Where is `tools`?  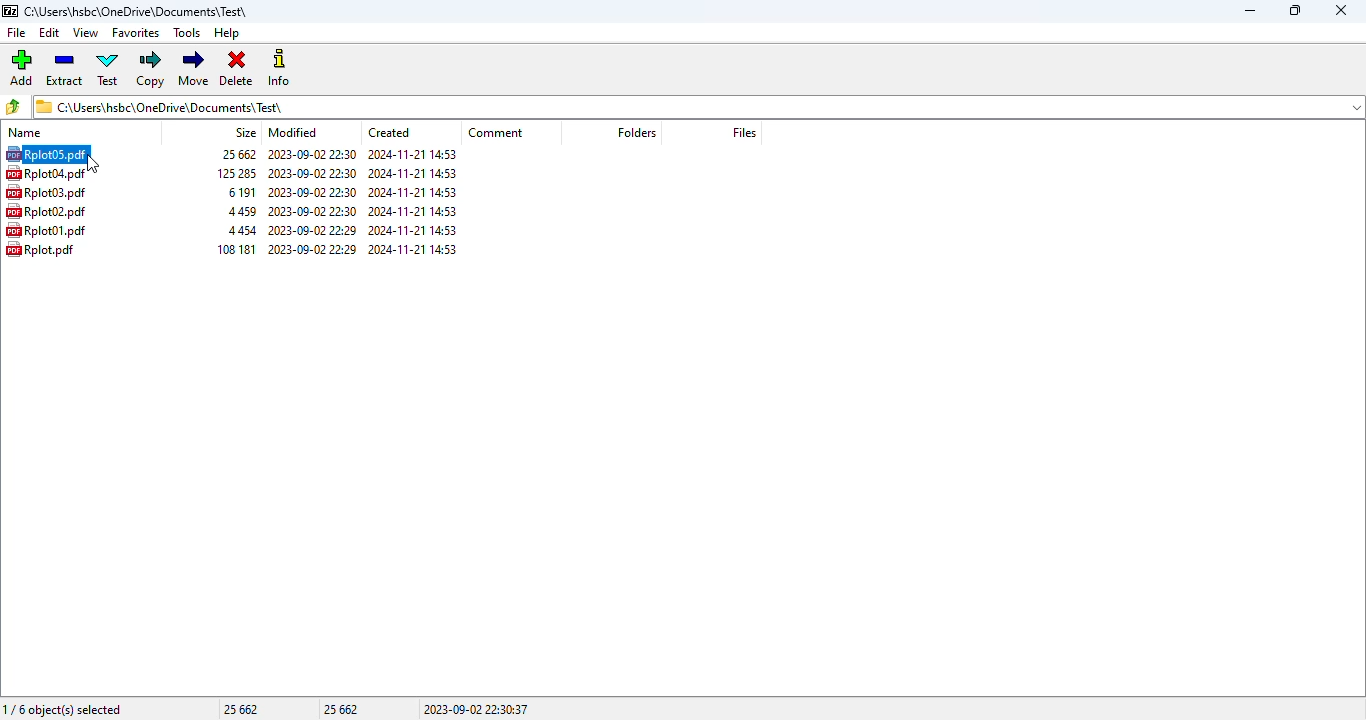 tools is located at coordinates (188, 33).